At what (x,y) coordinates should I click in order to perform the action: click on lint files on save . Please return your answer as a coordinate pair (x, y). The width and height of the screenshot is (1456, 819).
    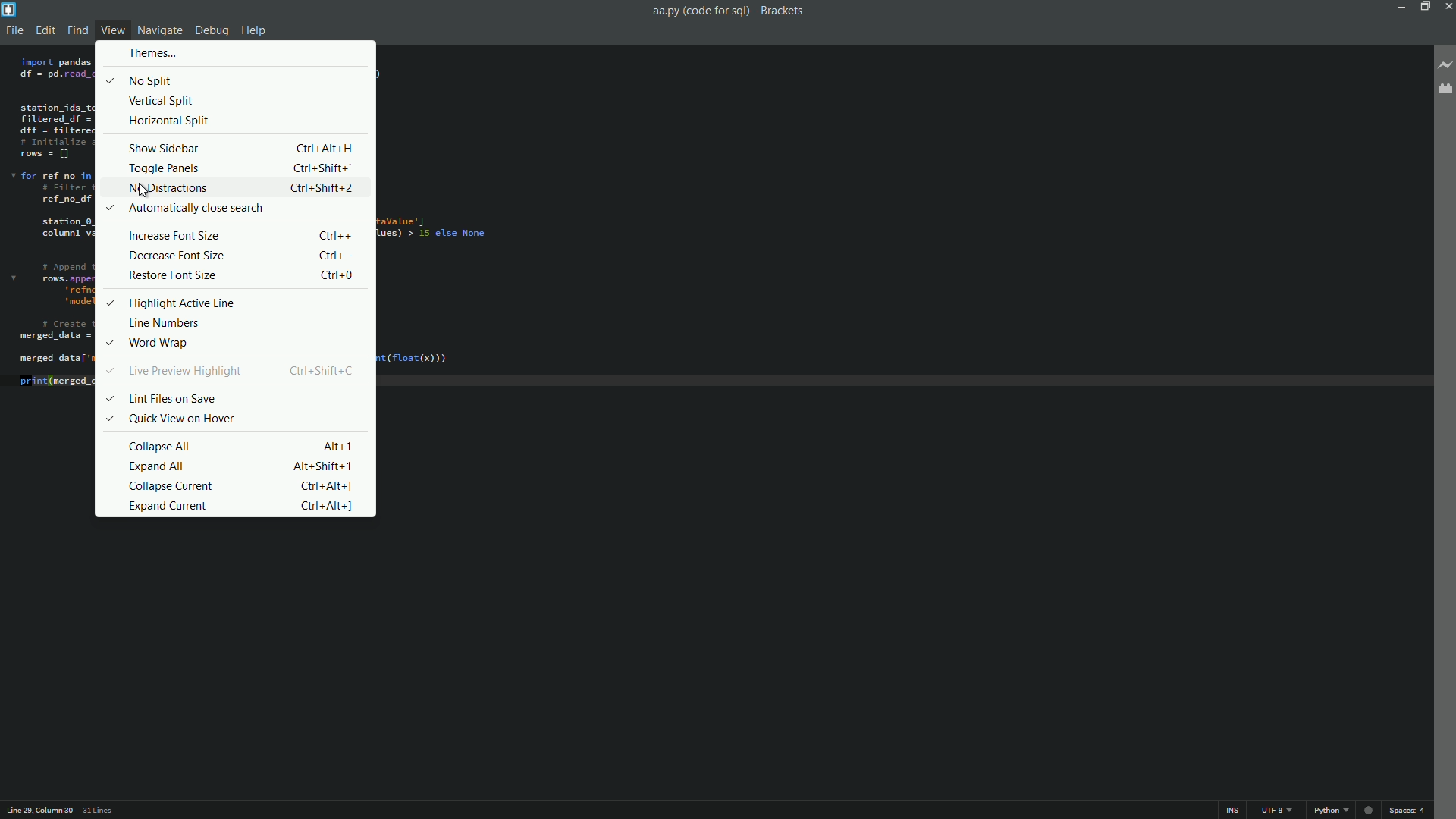
    Looking at the image, I should click on (236, 396).